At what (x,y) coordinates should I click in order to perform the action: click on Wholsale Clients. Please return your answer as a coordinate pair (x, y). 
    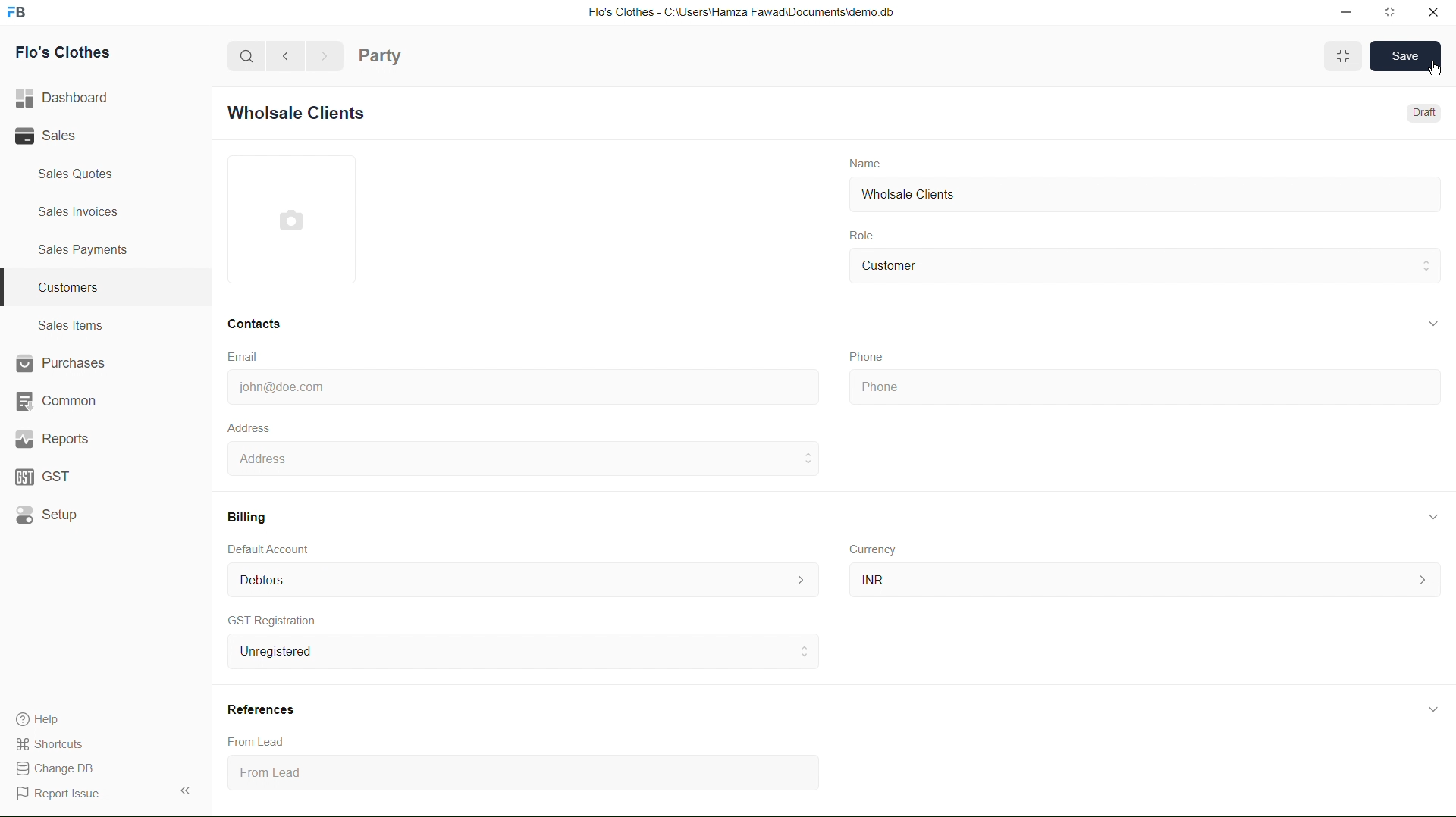
    Looking at the image, I should click on (910, 195).